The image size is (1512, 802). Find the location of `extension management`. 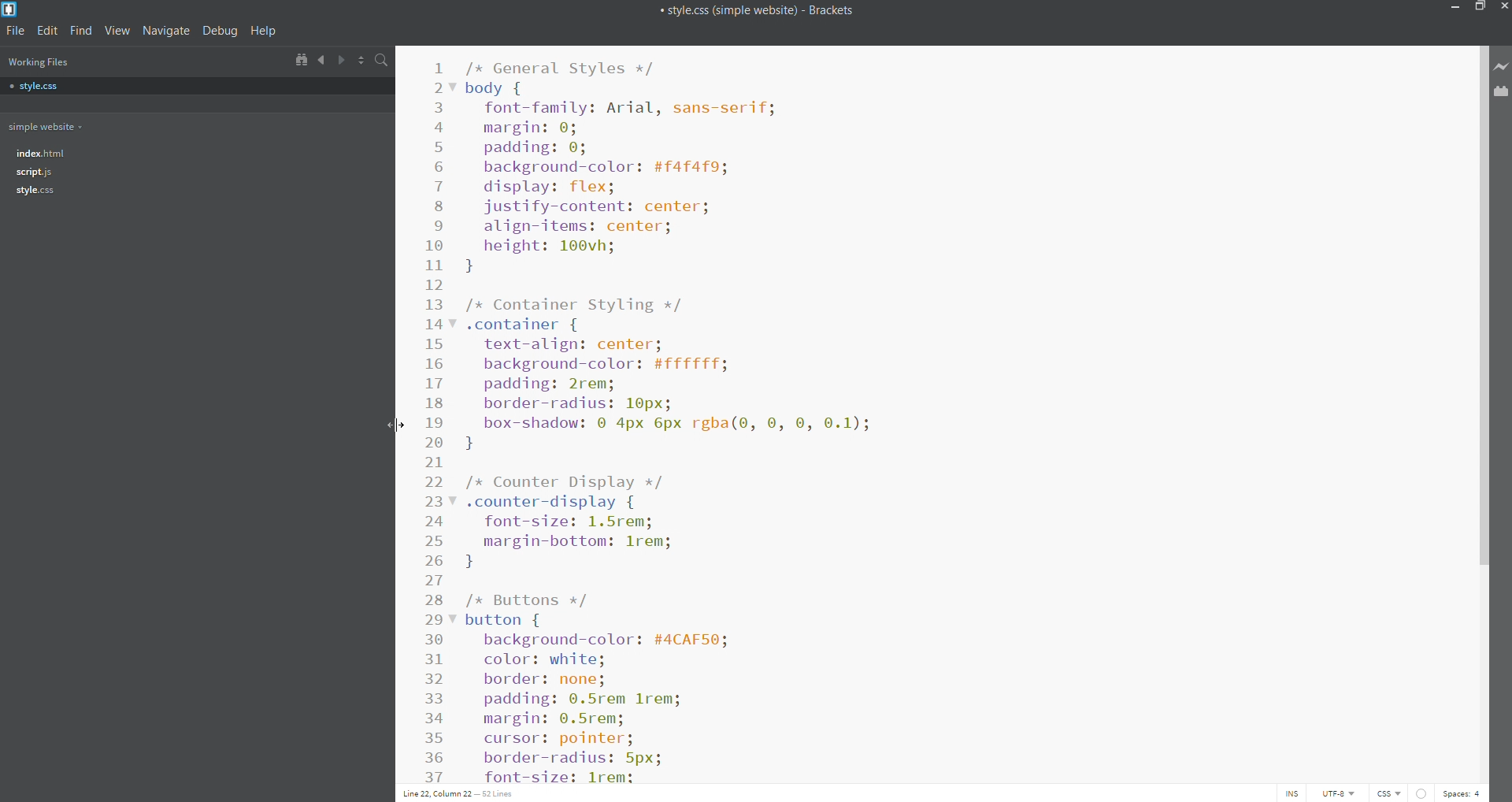

extension management is located at coordinates (1503, 94).